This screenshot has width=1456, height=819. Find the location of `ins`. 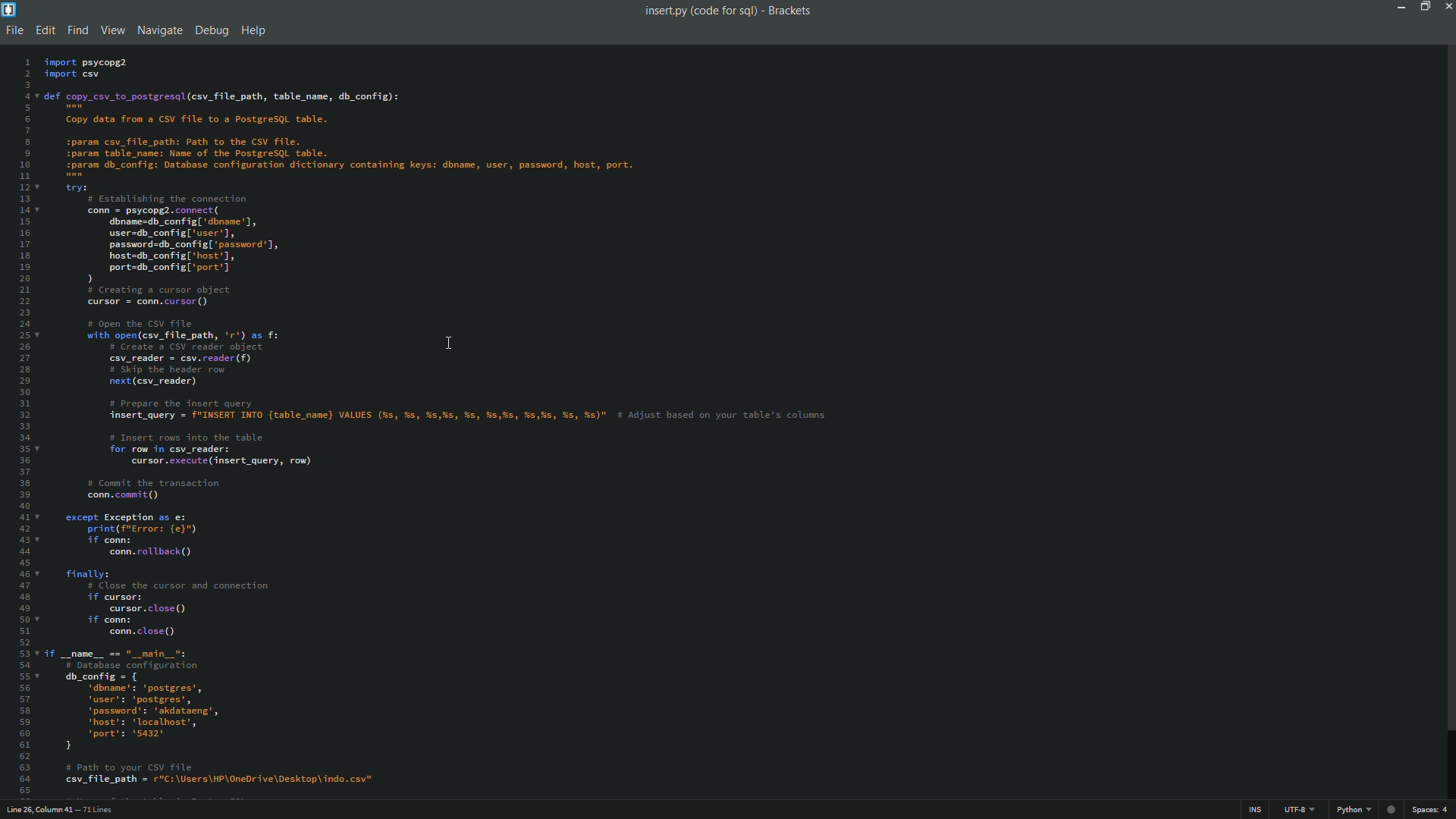

ins is located at coordinates (1257, 810).